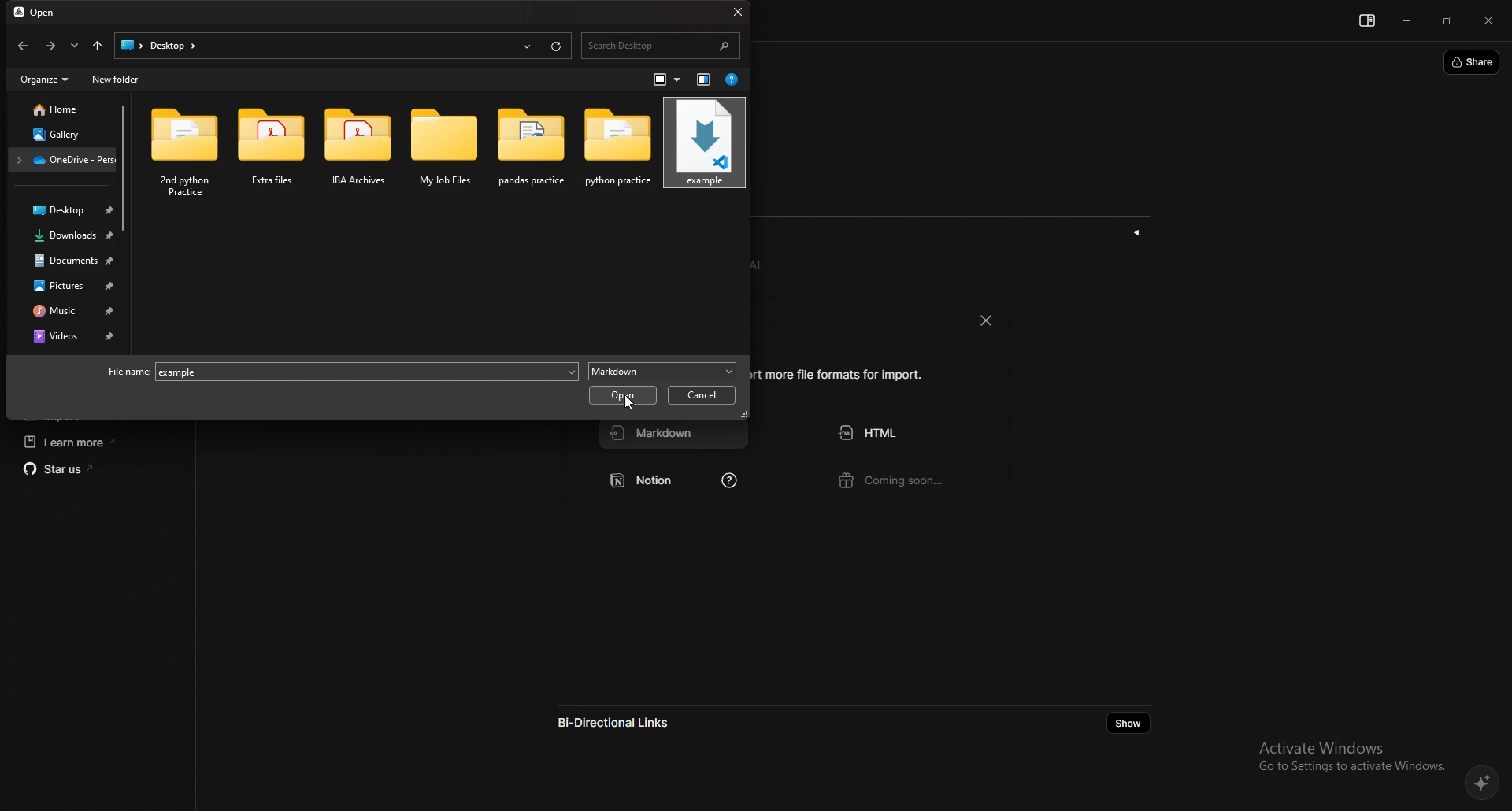  Describe the element at coordinates (904, 433) in the screenshot. I see `html` at that location.